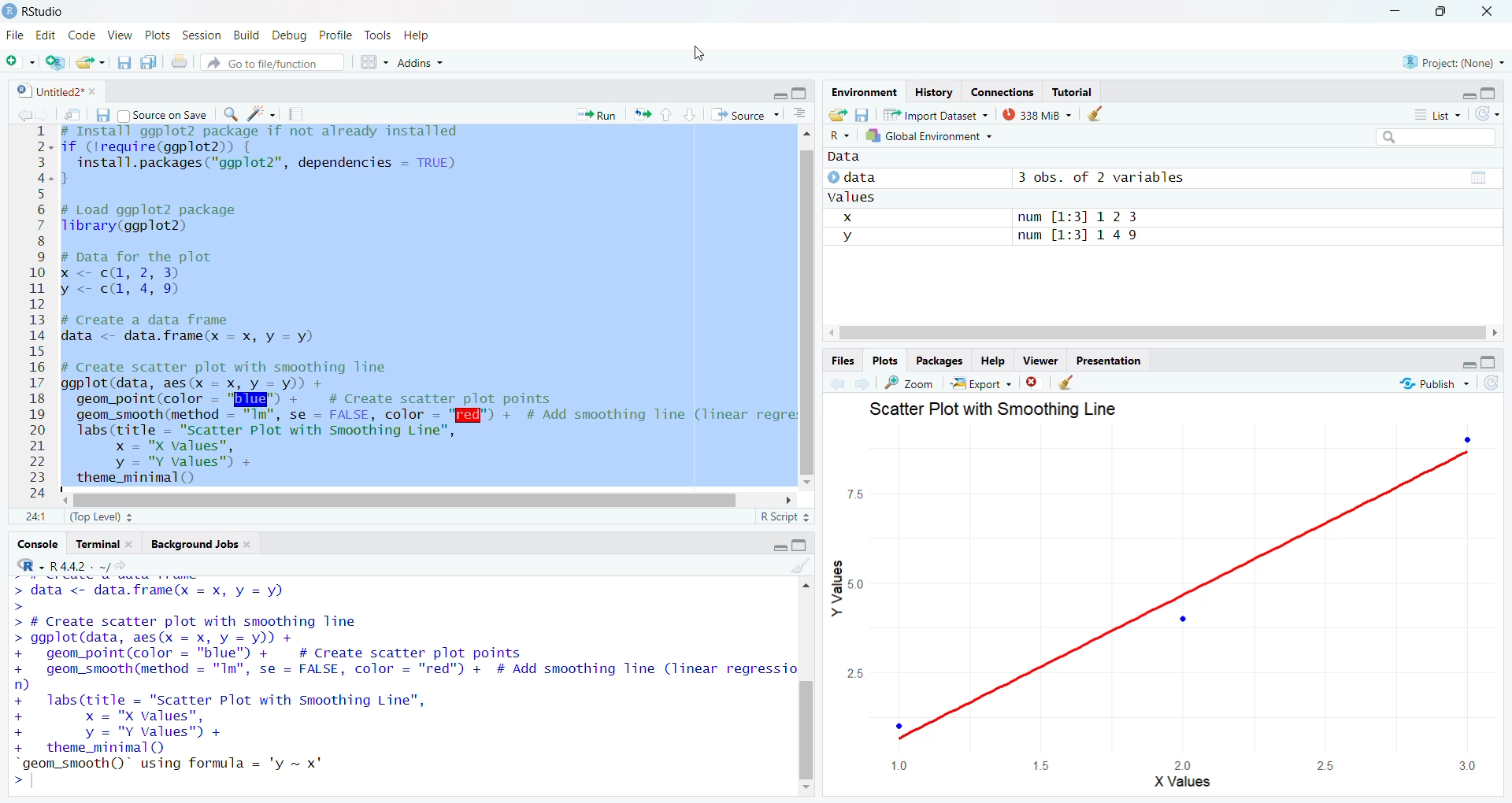  I want to click on clear console, so click(799, 567).